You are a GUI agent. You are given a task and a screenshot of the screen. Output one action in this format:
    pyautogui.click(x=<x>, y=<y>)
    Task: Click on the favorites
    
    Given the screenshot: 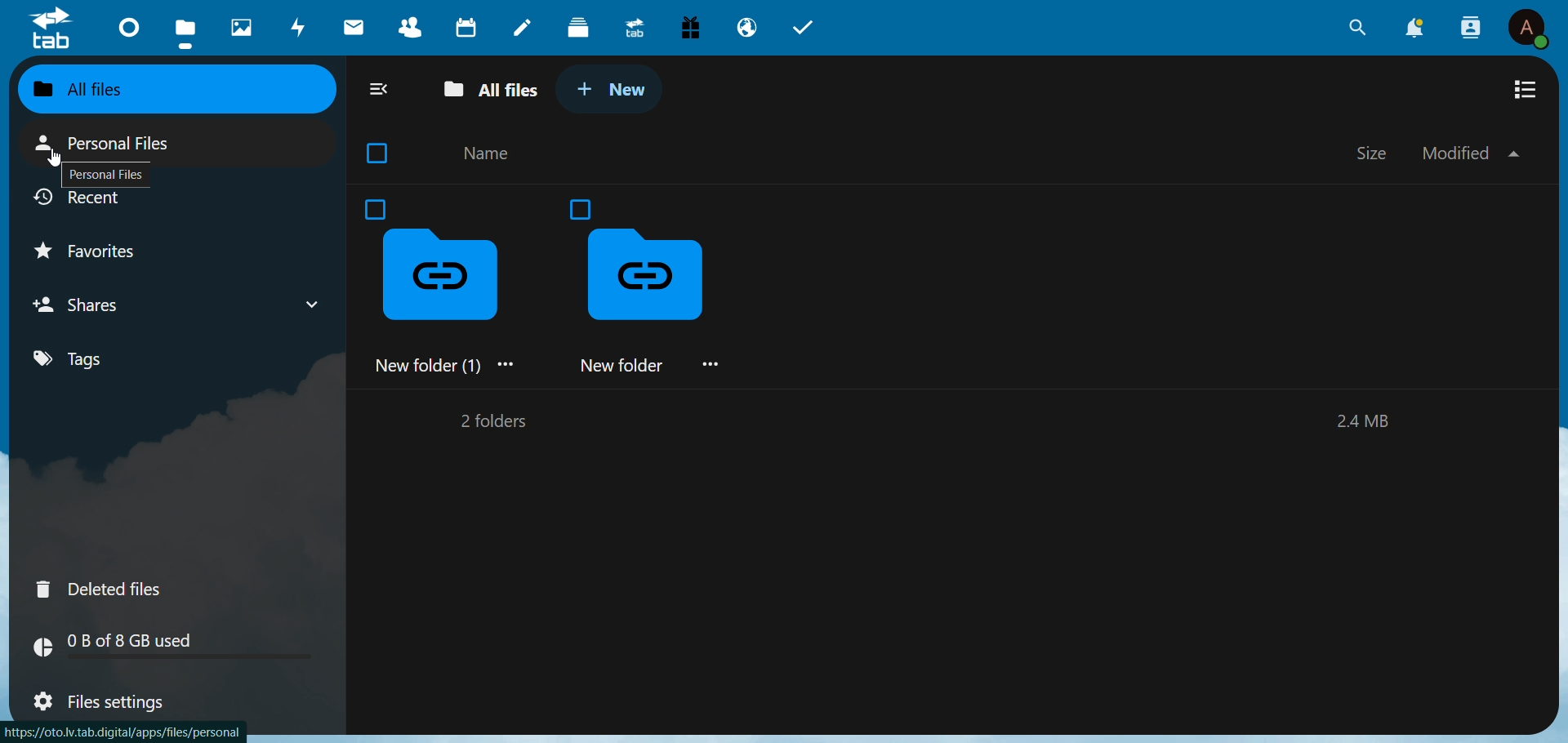 What is the action you would take?
    pyautogui.click(x=104, y=252)
    